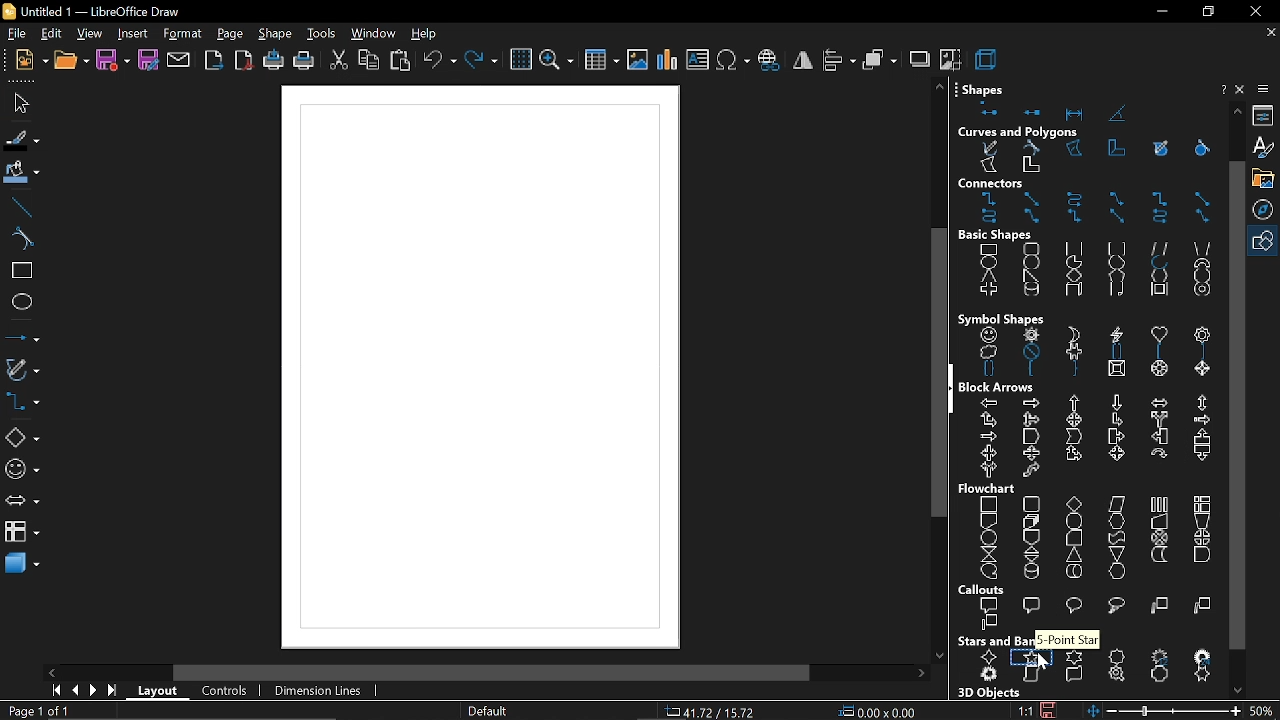  I want to click on insert chart, so click(668, 60).